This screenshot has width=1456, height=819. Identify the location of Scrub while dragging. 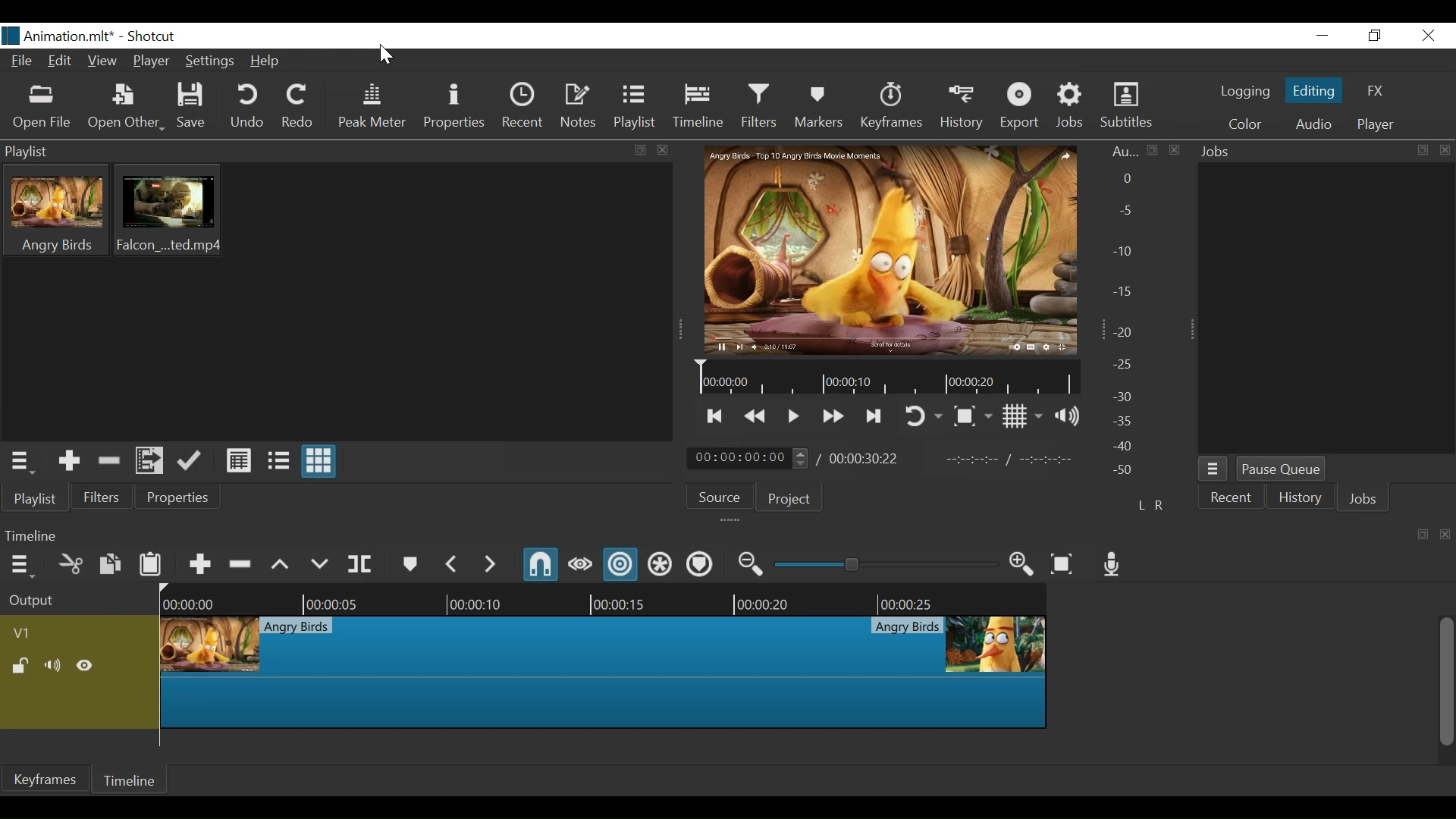
(580, 565).